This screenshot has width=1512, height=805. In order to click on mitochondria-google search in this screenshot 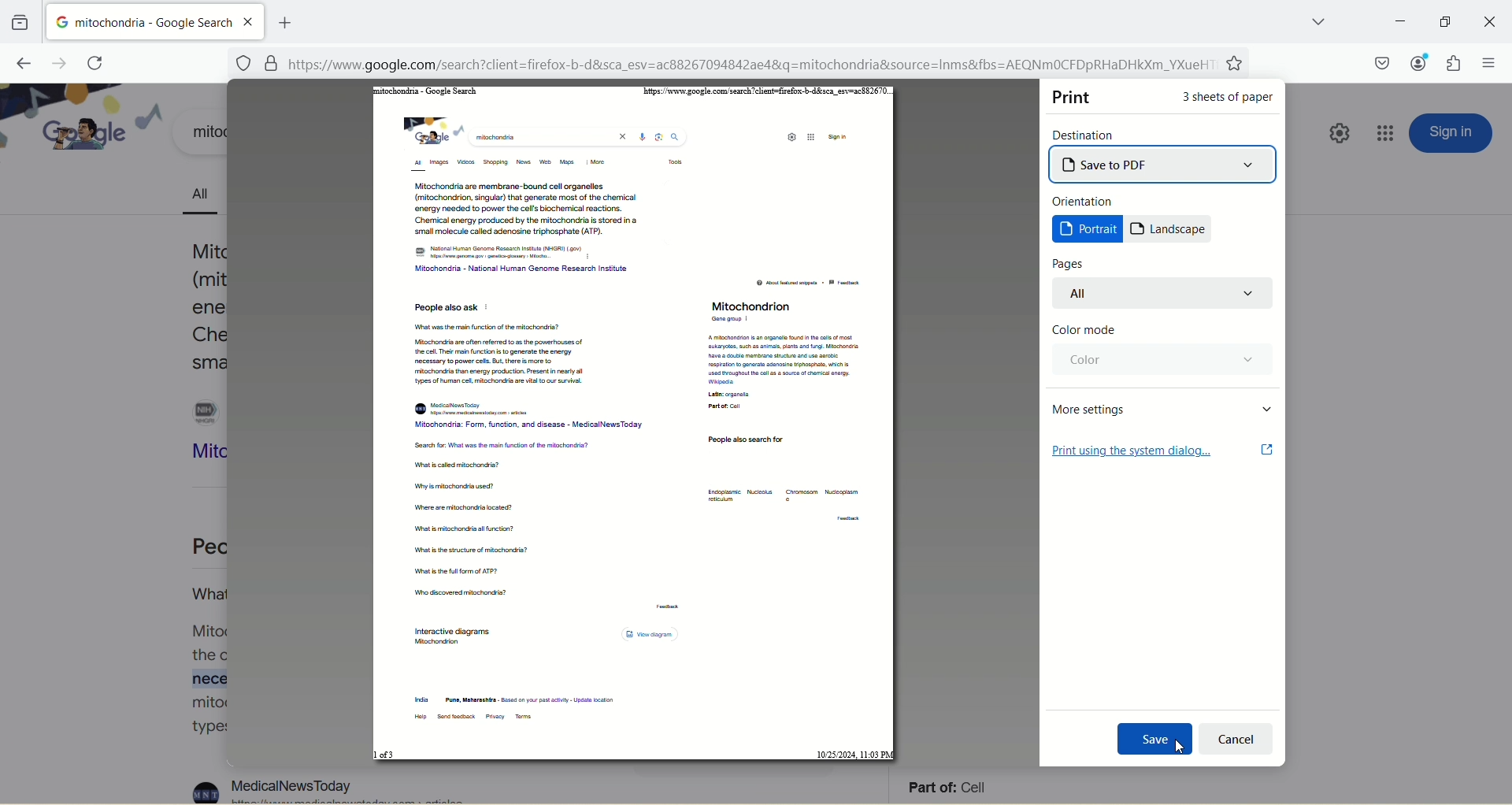, I will do `click(139, 20)`.